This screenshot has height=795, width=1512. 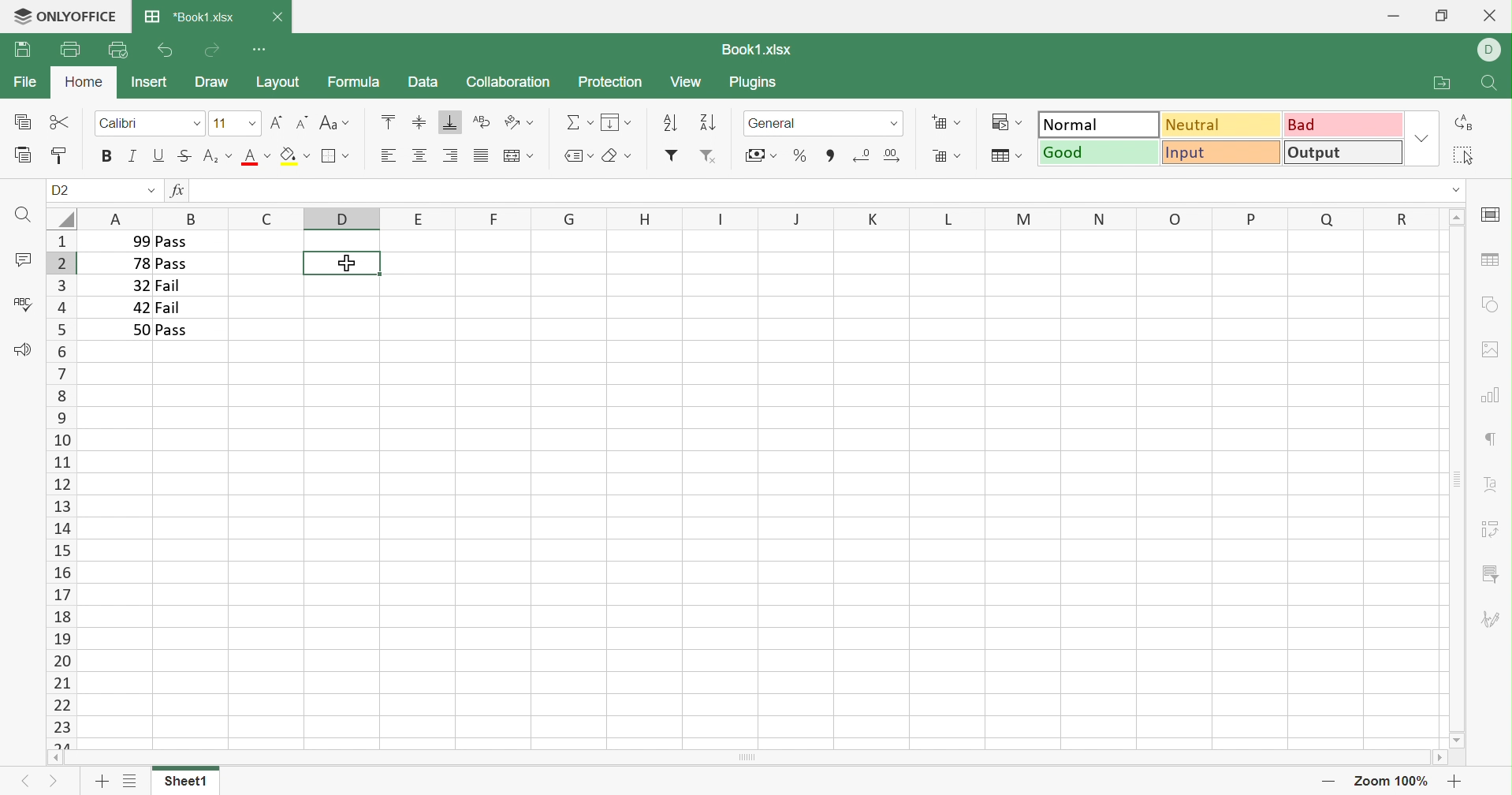 I want to click on Fail, so click(x=170, y=308).